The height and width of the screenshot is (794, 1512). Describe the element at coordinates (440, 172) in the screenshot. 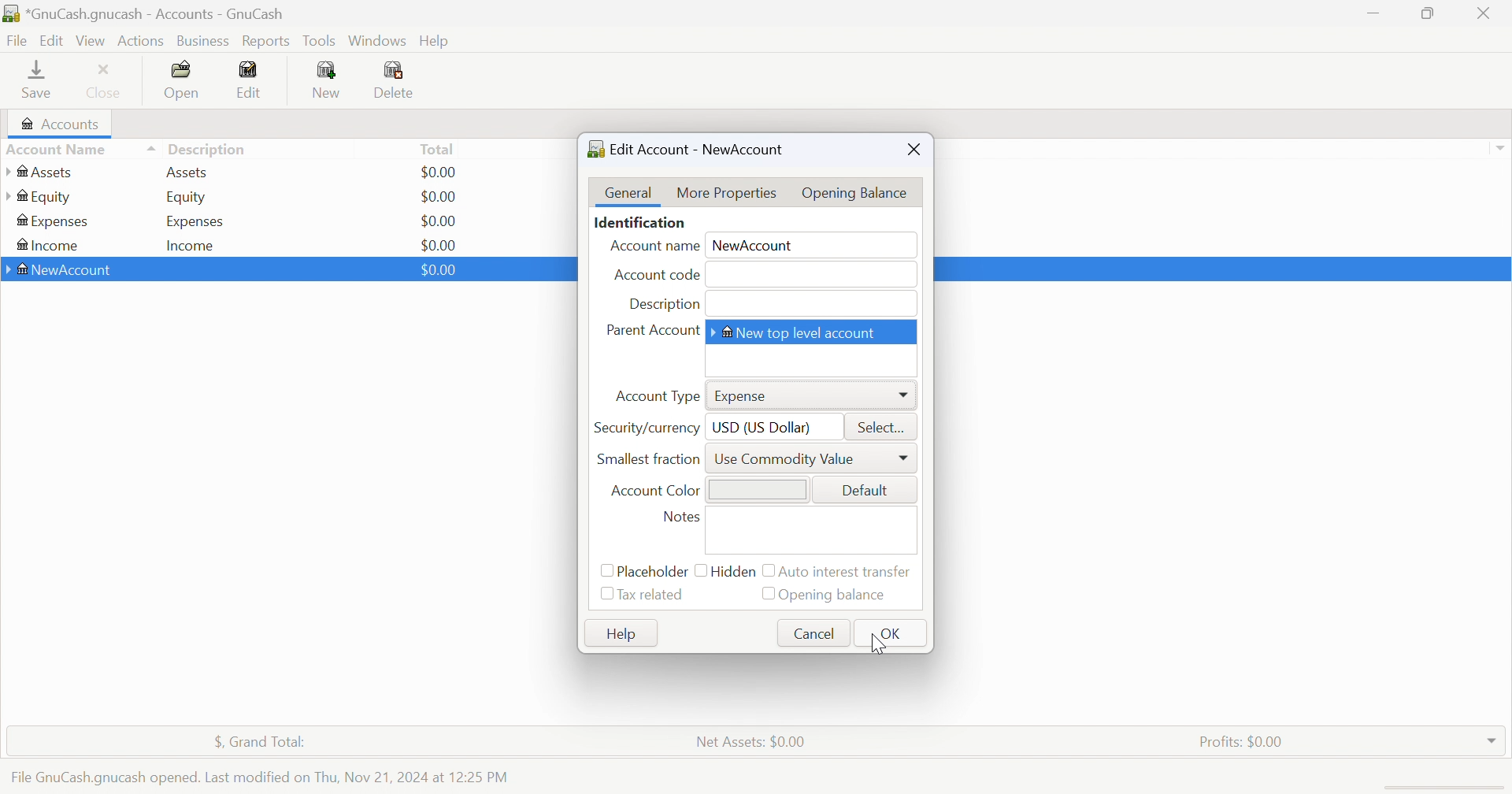

I see `$0.00` at that location.